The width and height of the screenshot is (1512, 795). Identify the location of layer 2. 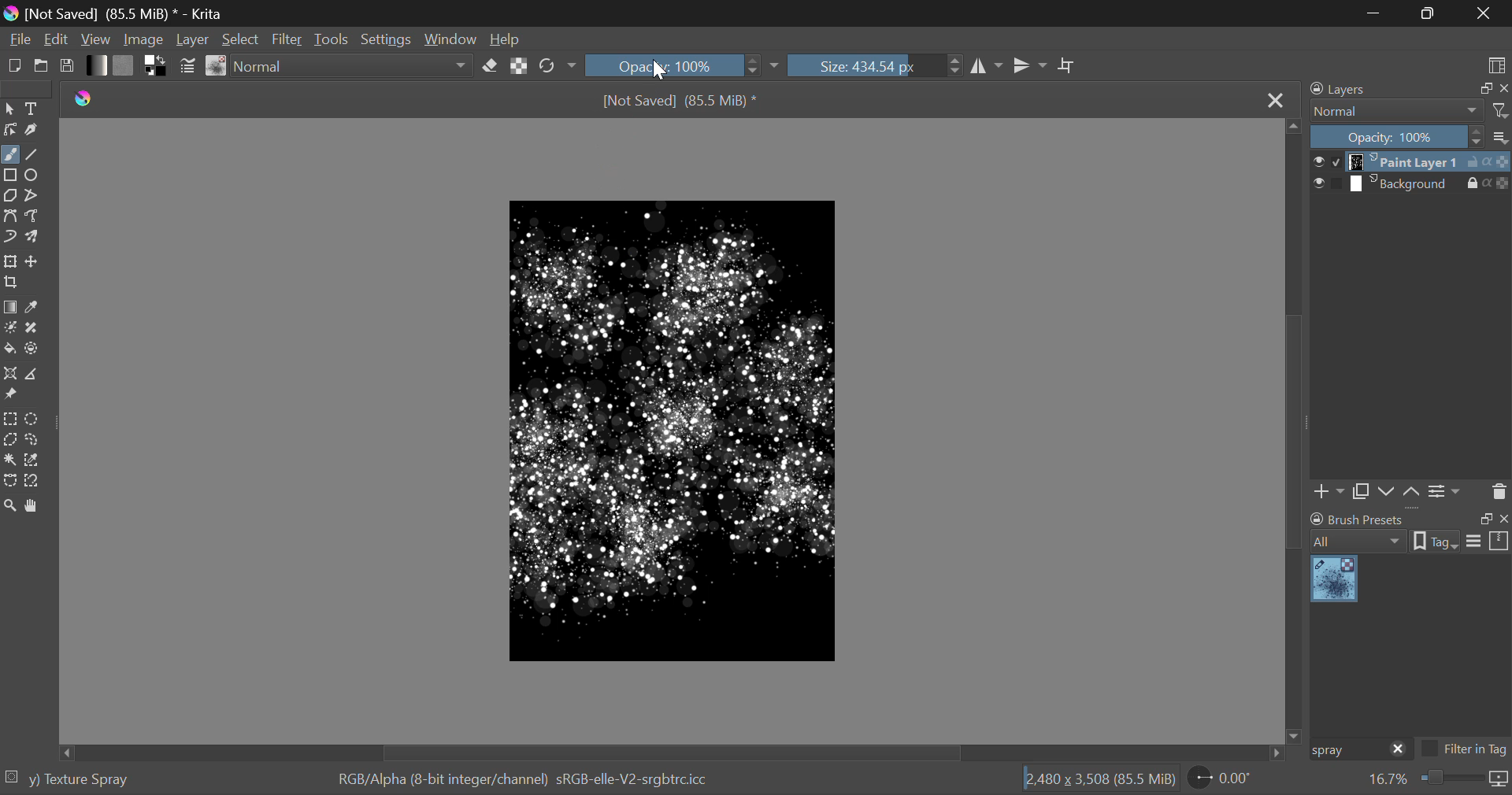
(1405, 184).